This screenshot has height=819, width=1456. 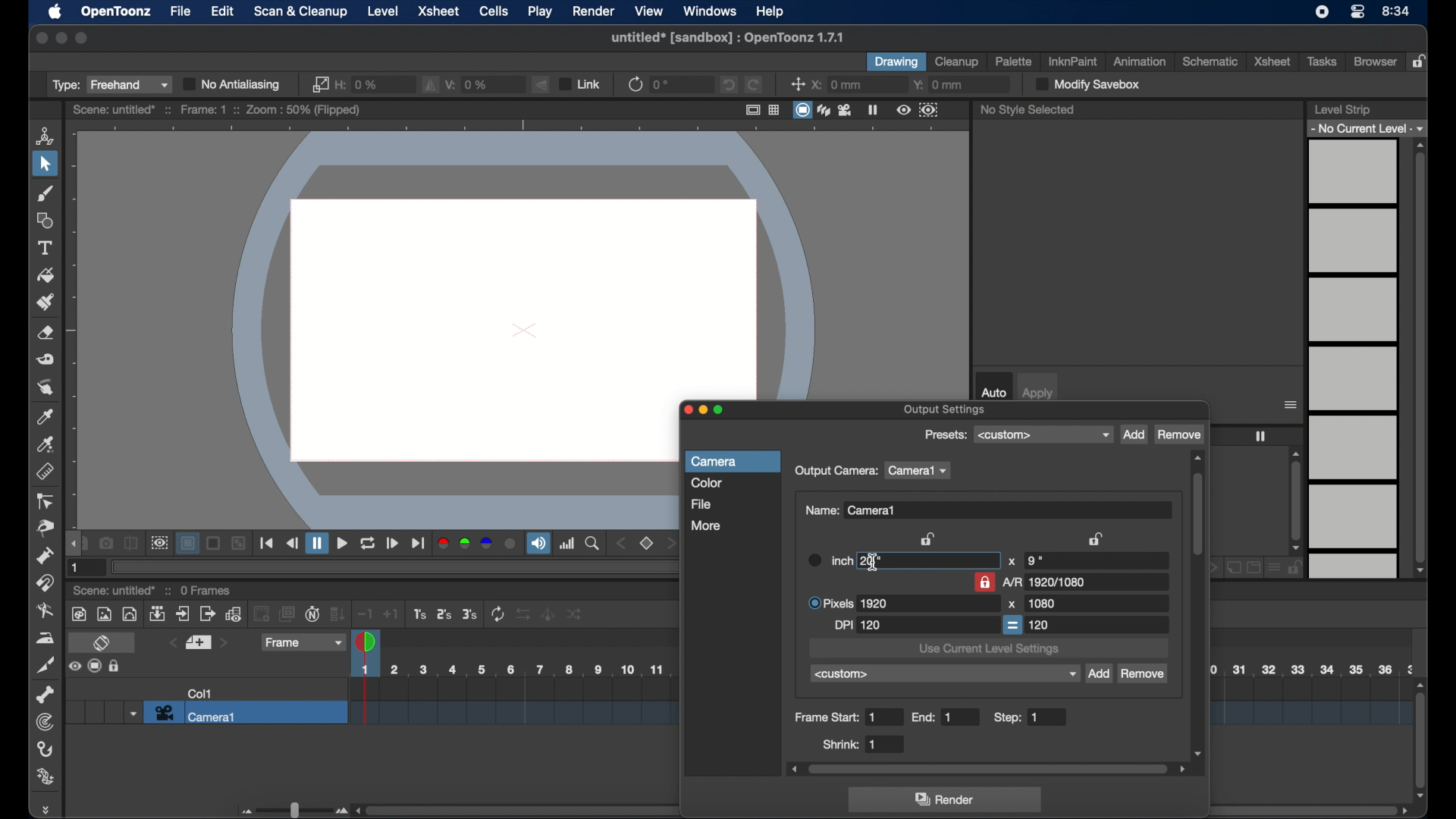 What do you see at coordinates (754, 85) in the screenshot?
I see `redo` at bounding box center [754, 85].